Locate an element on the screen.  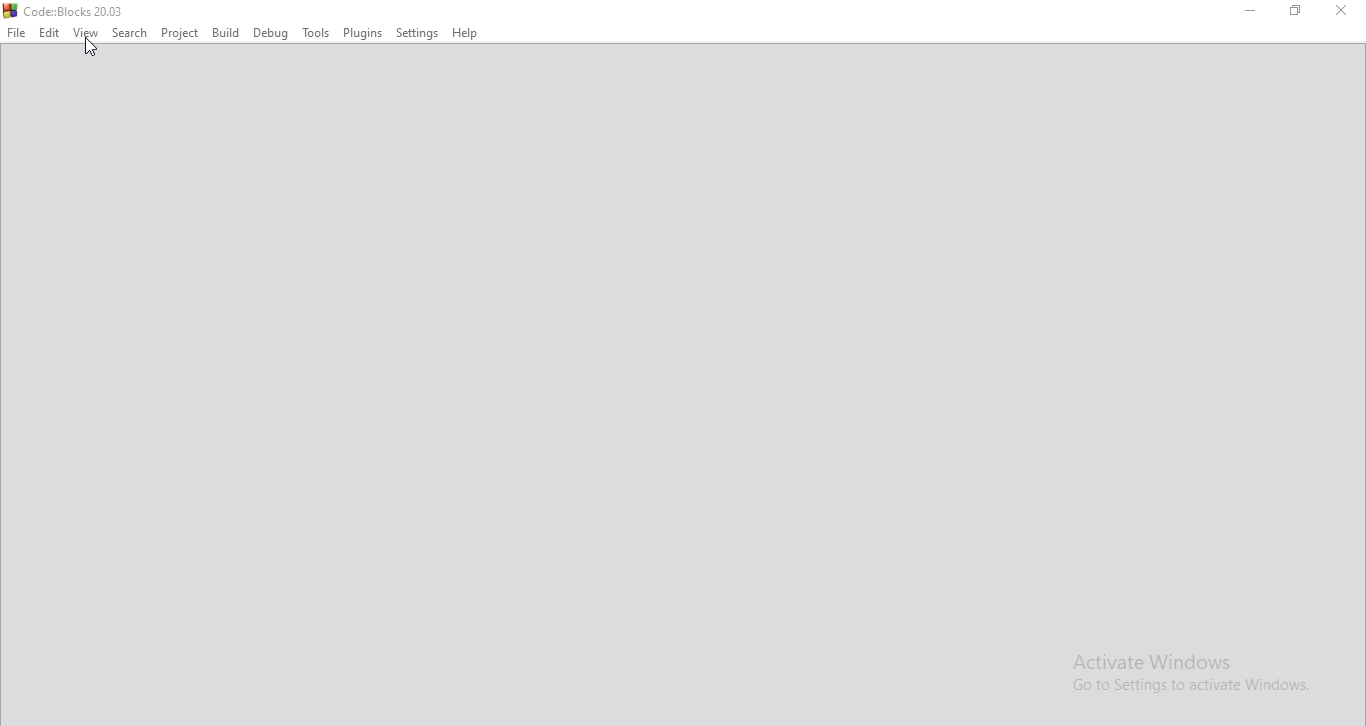
File is located at coordinates (17, 33).